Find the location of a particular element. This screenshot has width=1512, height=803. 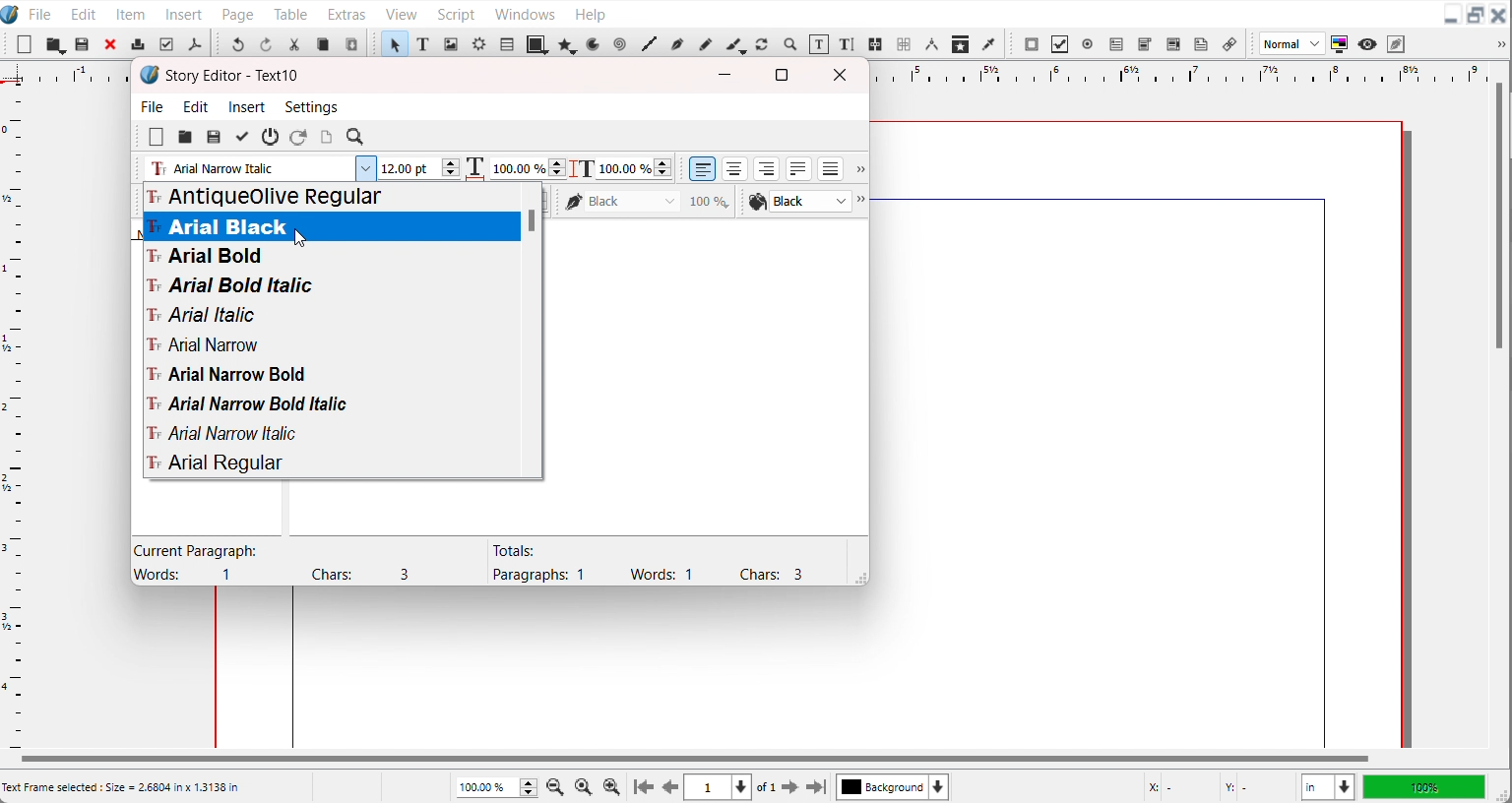

Zoom to 100% is located at coordinates (585, 785).